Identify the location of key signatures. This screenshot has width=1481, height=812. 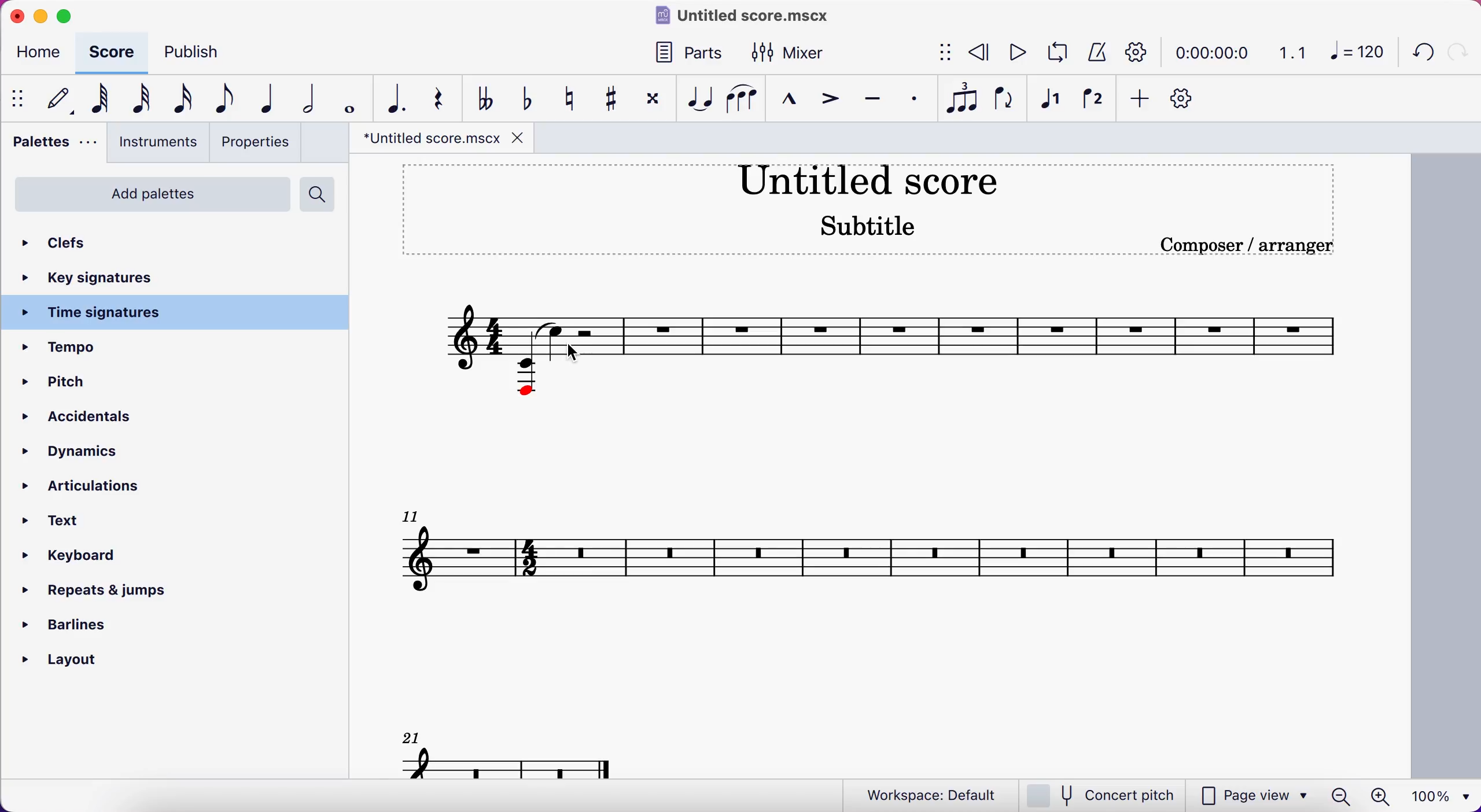
(109, 278).